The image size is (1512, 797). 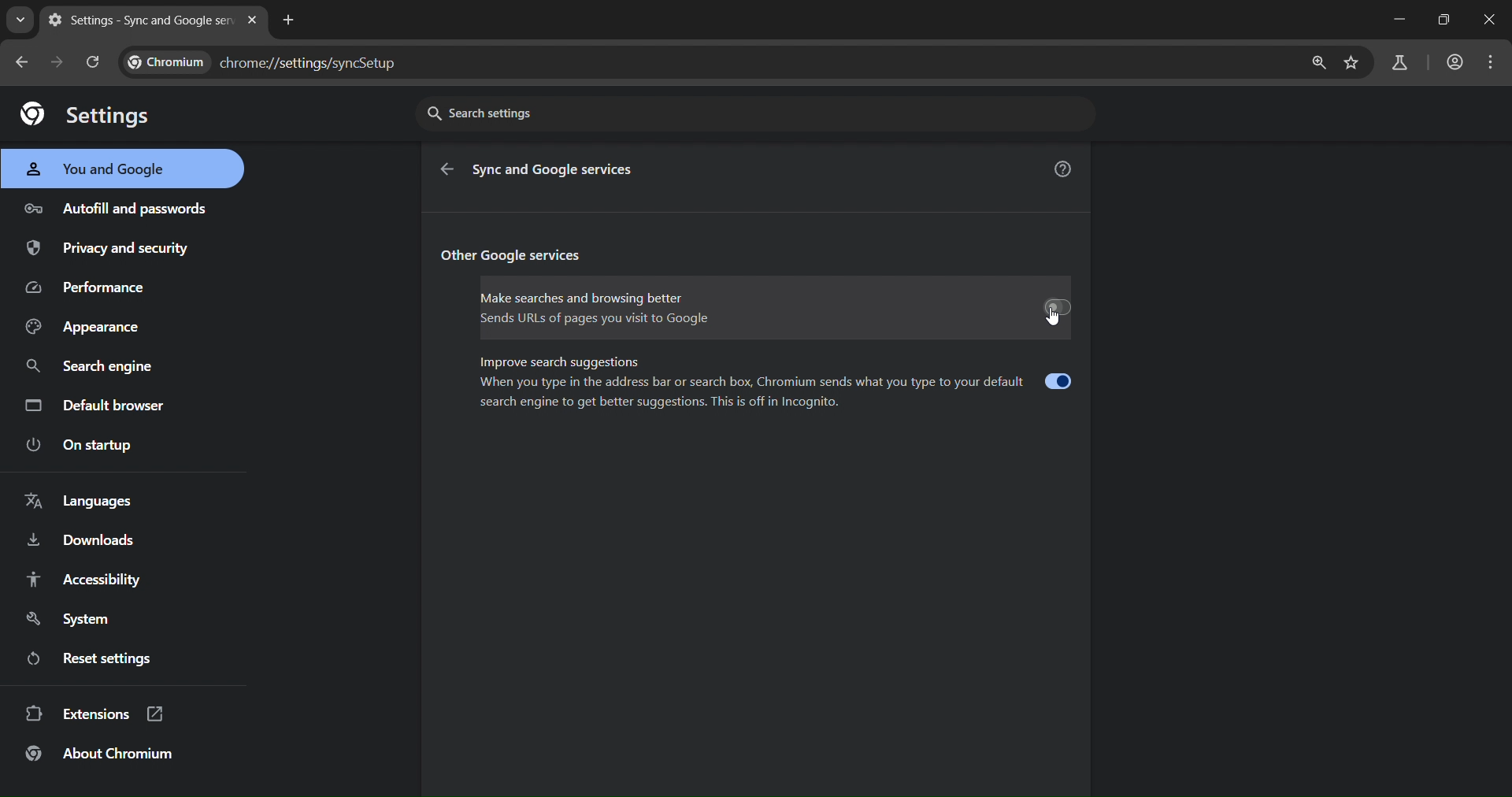 What do you see at coordinates (93, 368) in the screenshot?
I see `search engine` at bounding box center [93, 368].